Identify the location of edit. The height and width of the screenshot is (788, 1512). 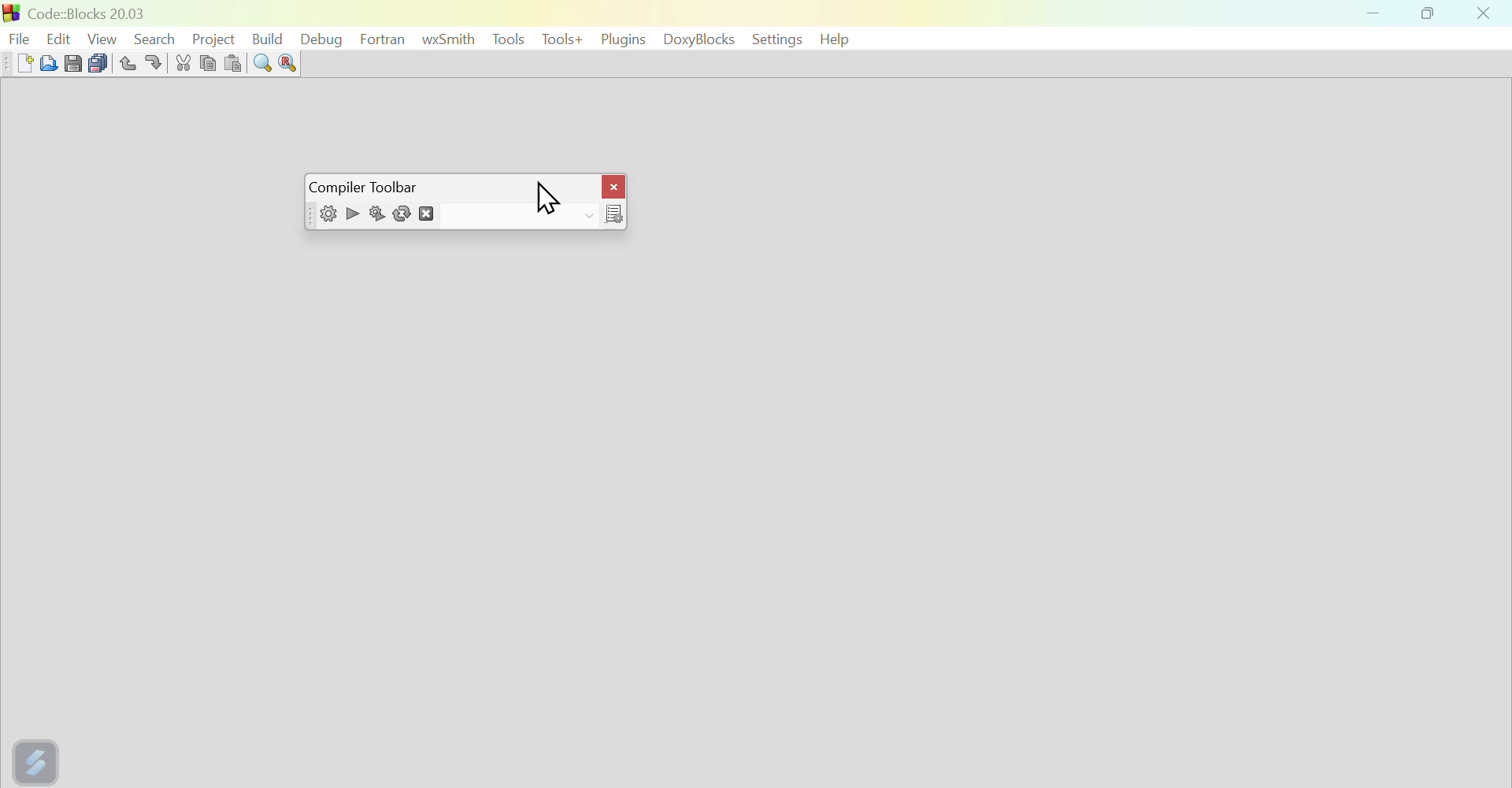
(59, 34).